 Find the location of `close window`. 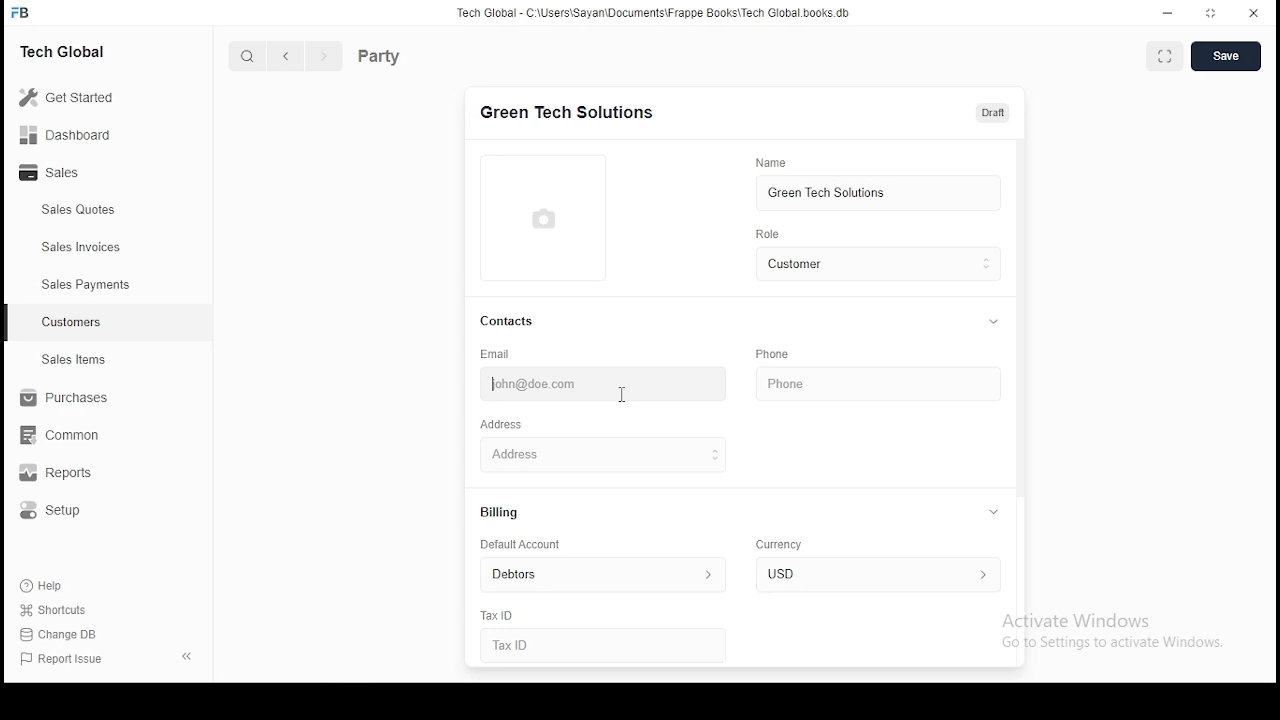

close window is located at coordinates (1251, 14).